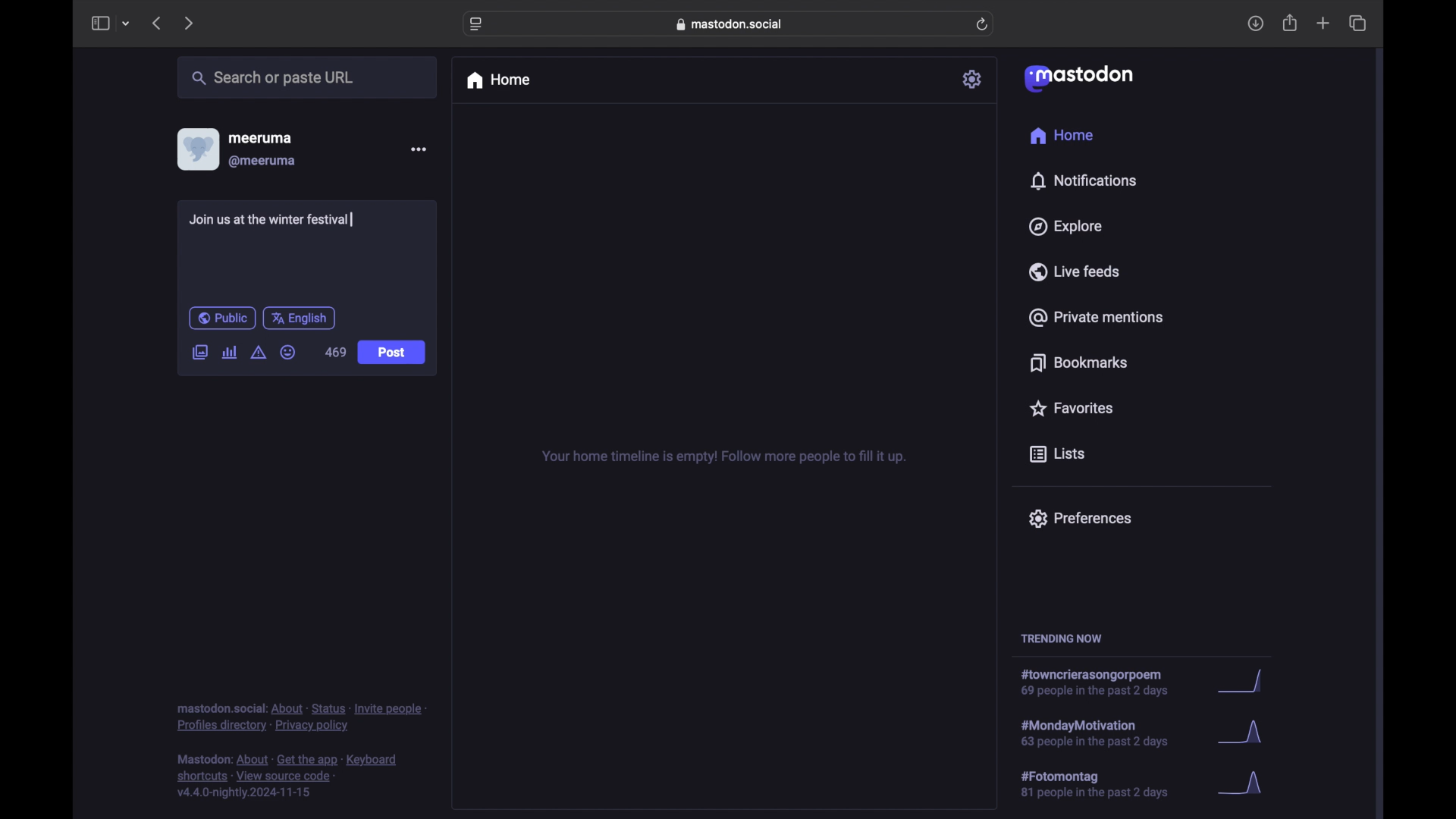  What do you see at coordinates (290, 777) in the screenshot?
I see `footnote` at bounding box center [290, 777].